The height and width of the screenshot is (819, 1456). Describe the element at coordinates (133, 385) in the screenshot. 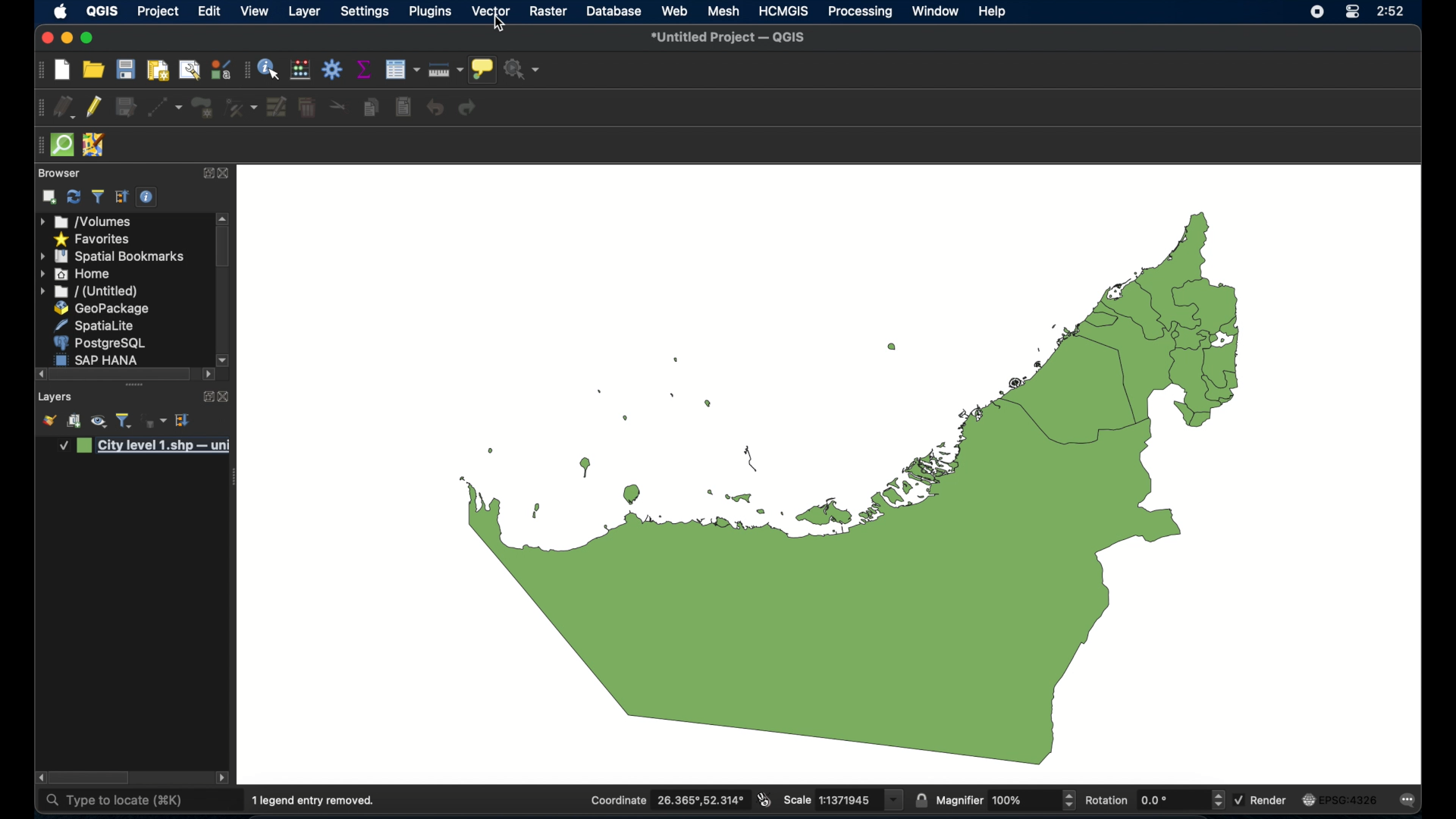

I see `drag handle` at that location.